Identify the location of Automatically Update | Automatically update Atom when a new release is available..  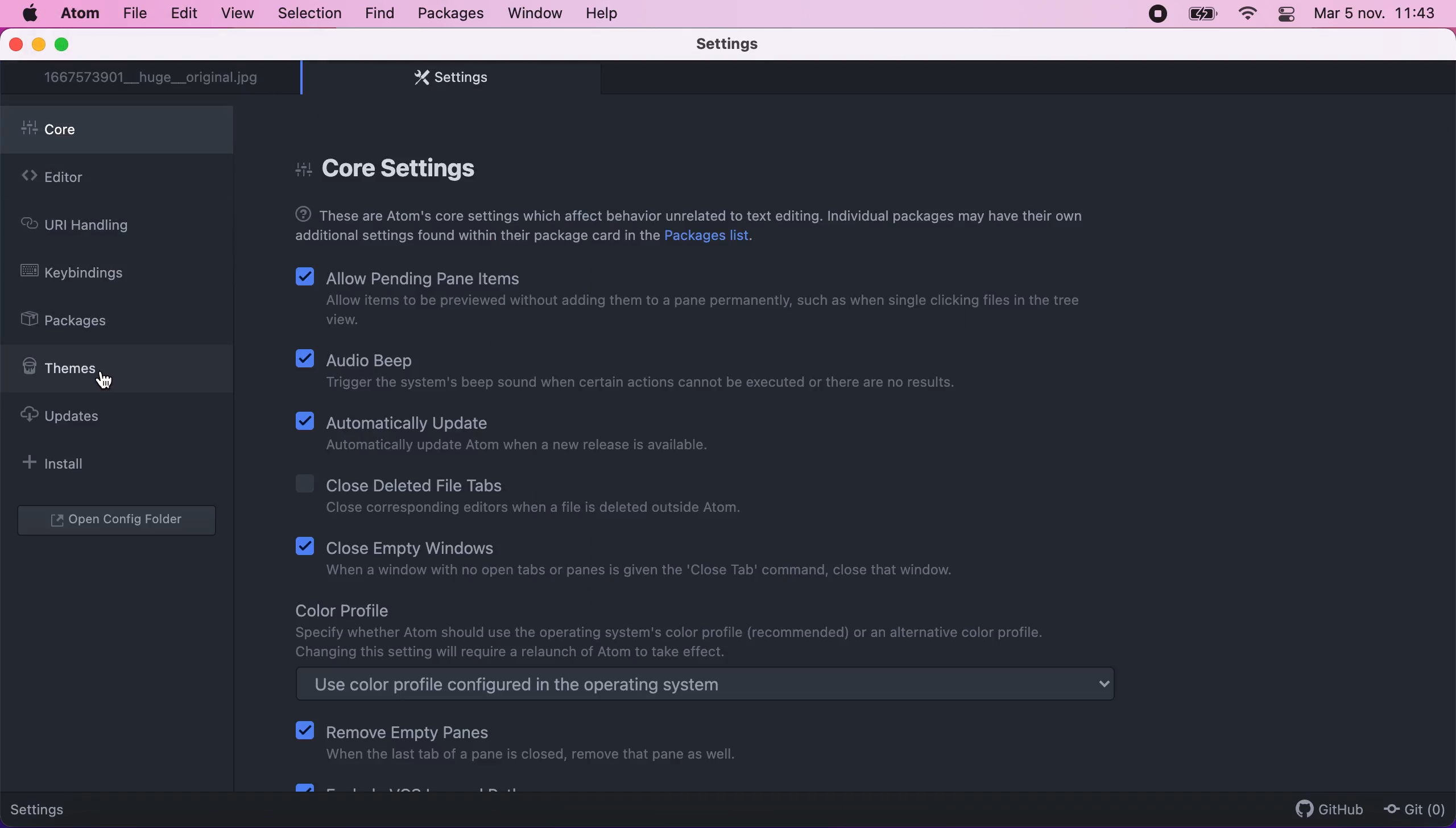
(506, 432).